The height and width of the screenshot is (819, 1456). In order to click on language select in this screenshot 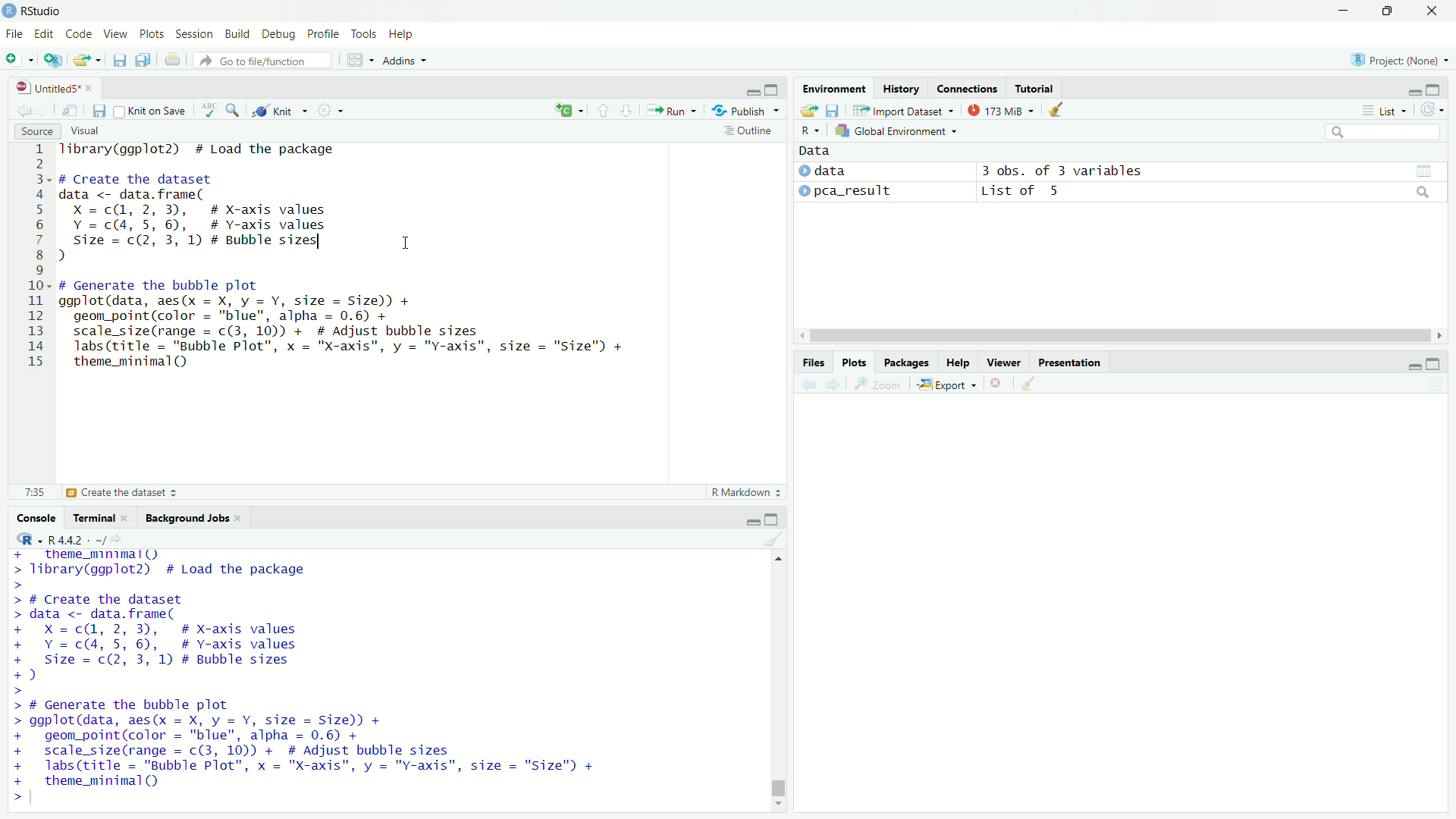, I will do `click(567, 111)`.